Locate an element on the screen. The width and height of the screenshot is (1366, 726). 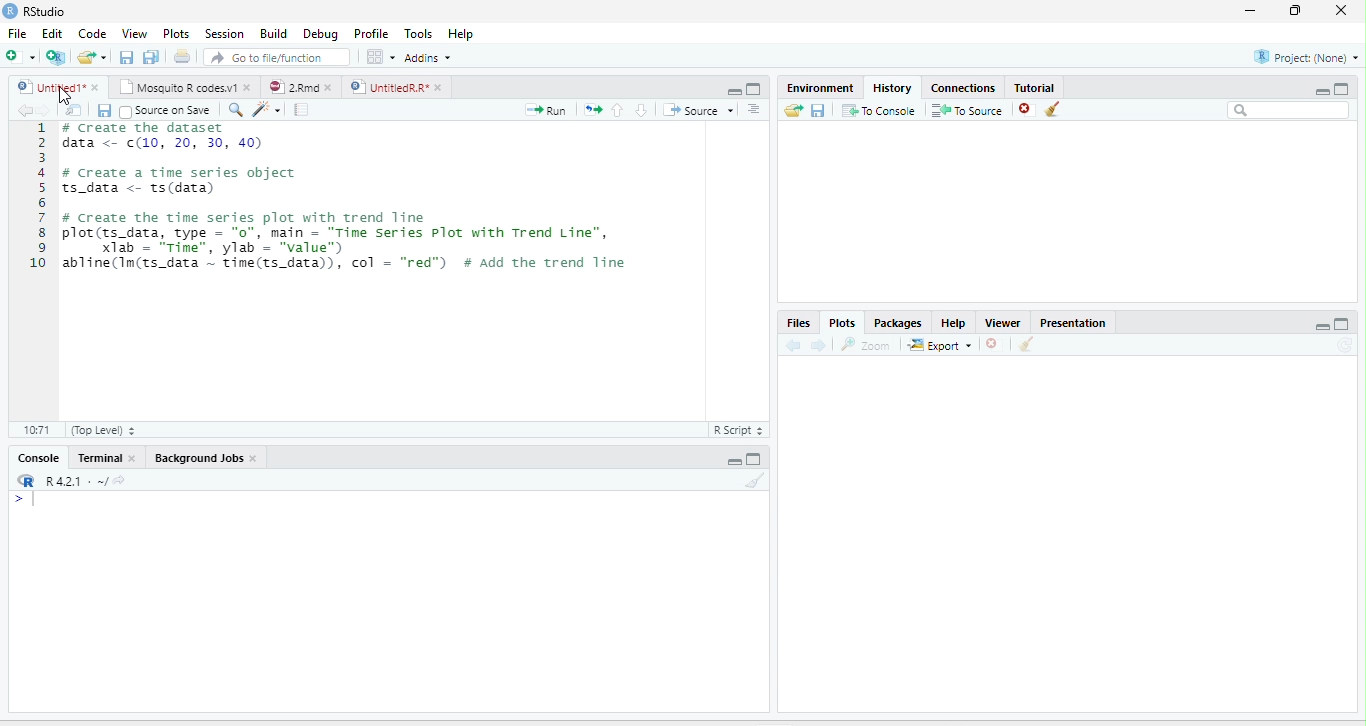
View the current working directory is located at coordinates (120, 479).